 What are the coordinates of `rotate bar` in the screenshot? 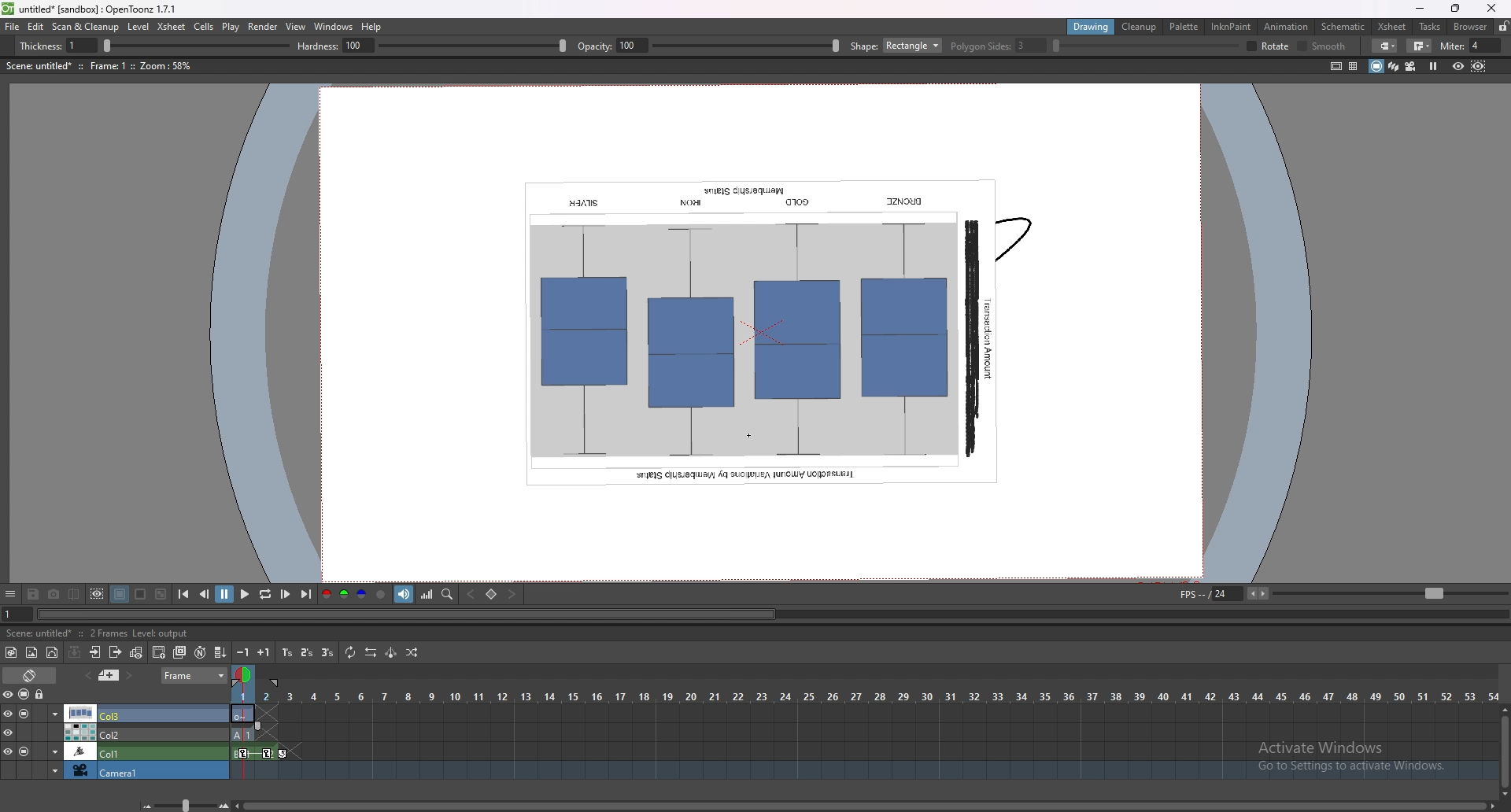 It's located at (896, 46).